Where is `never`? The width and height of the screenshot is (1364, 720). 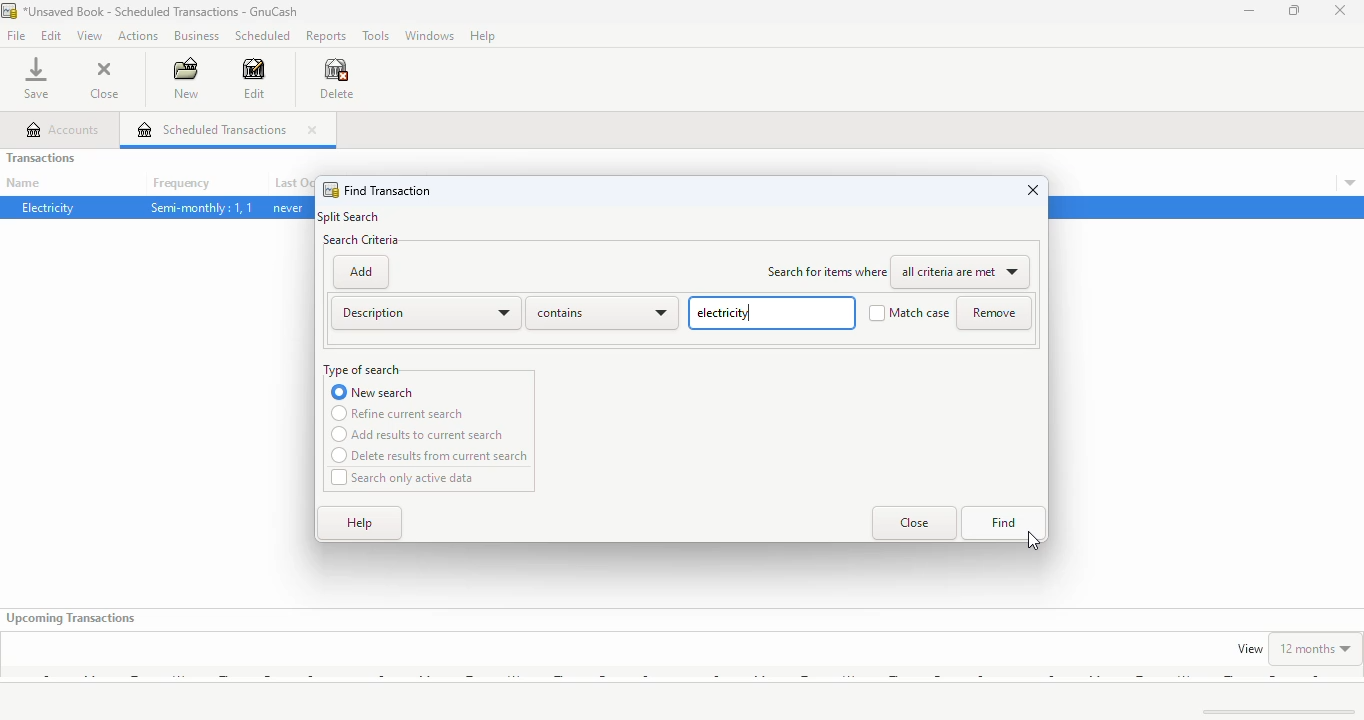 never is located at coordinates (288, 208).